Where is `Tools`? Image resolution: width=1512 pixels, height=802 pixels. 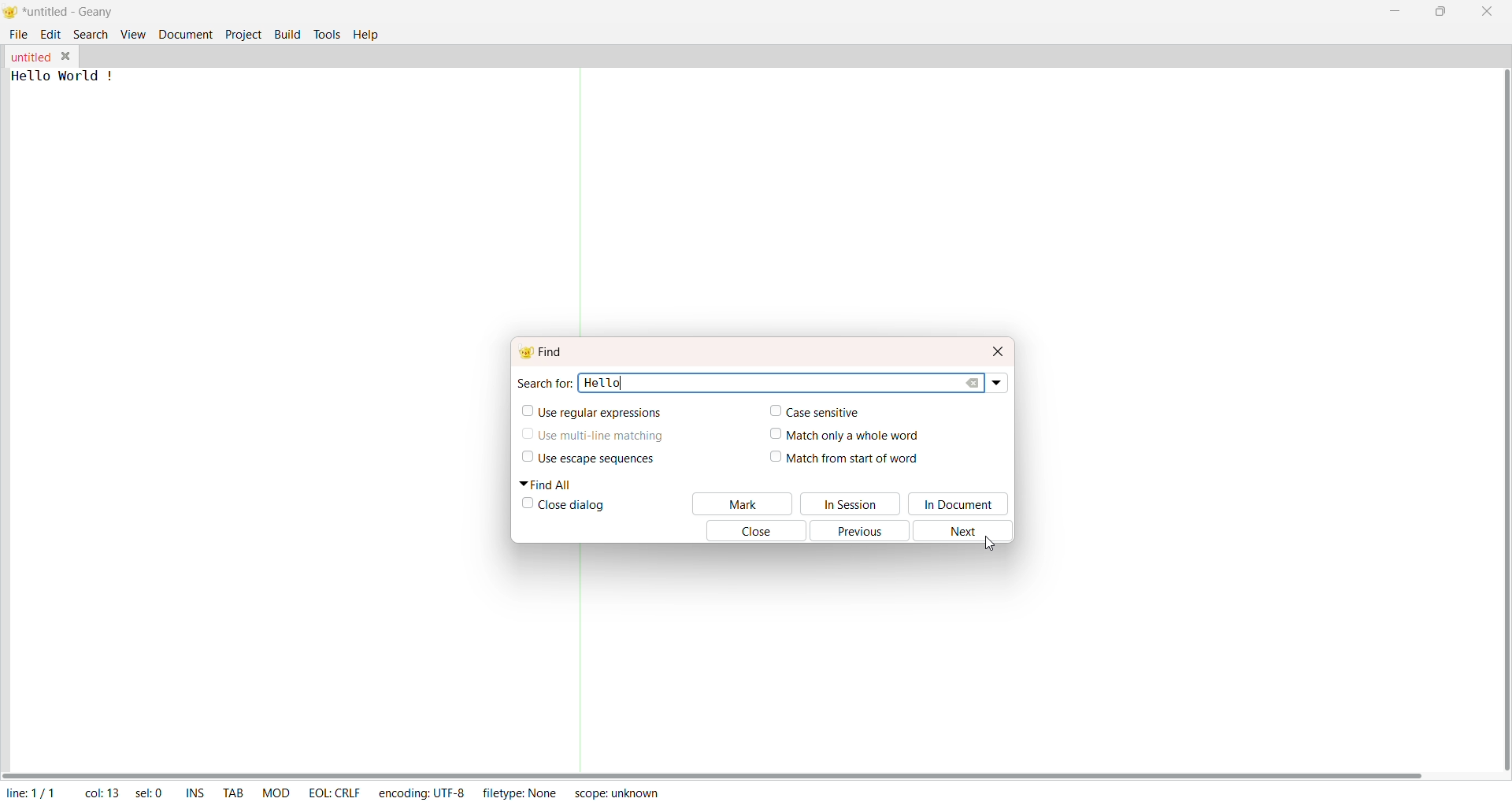 Tools is located at coordinates (327, 33).